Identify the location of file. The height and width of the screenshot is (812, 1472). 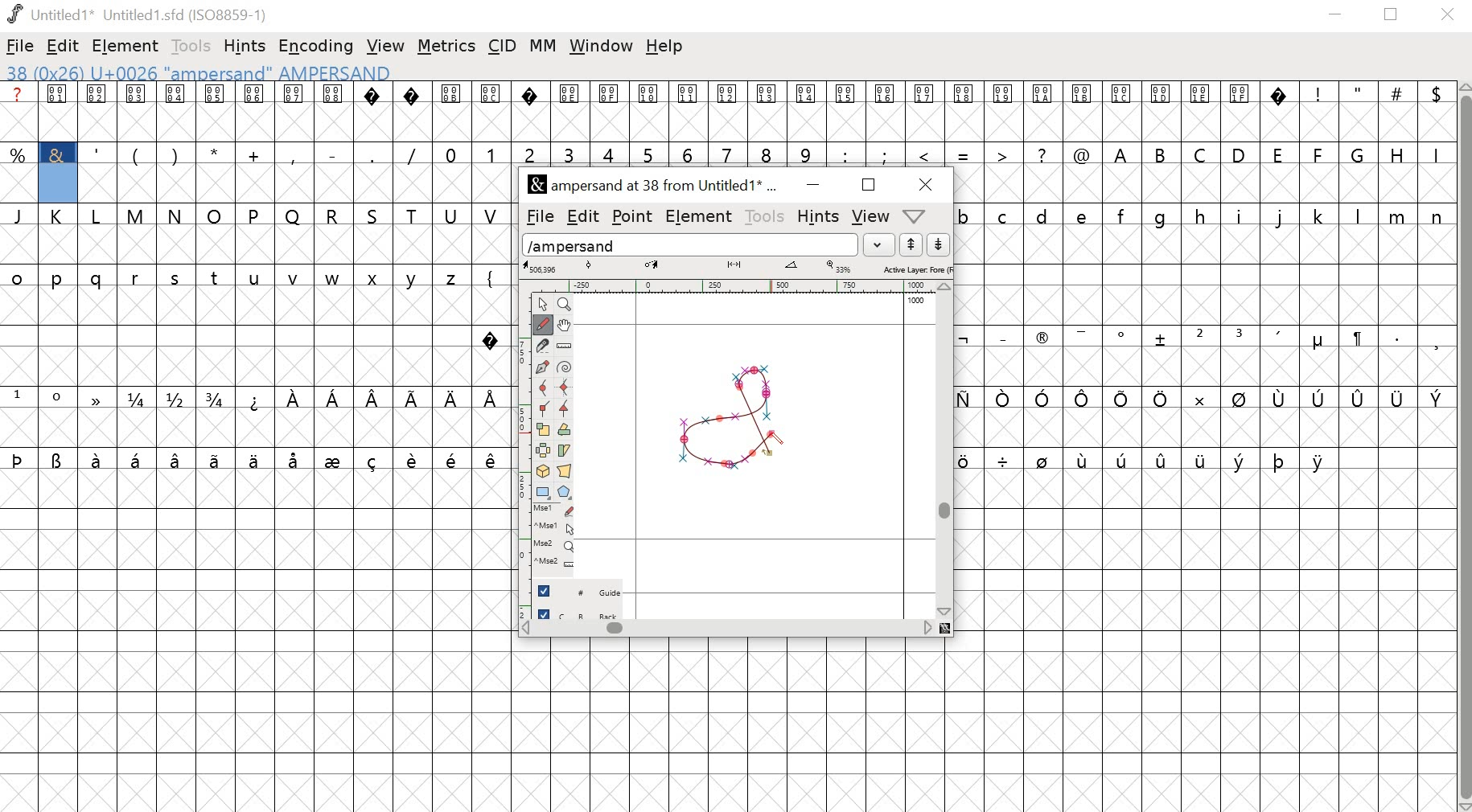
(537, 217).